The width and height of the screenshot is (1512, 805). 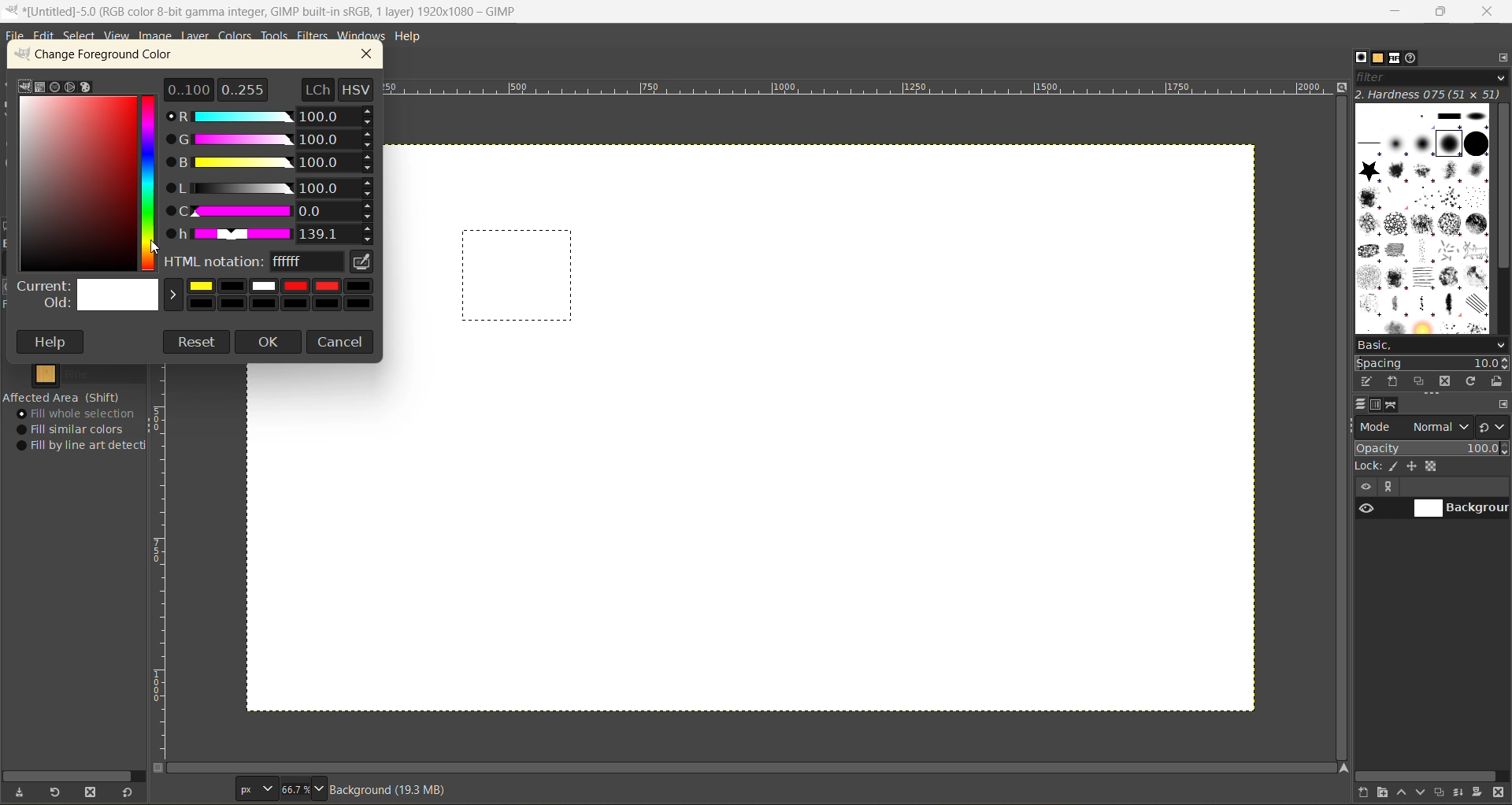 I want to click on shape created, so click(x=518, y=276).